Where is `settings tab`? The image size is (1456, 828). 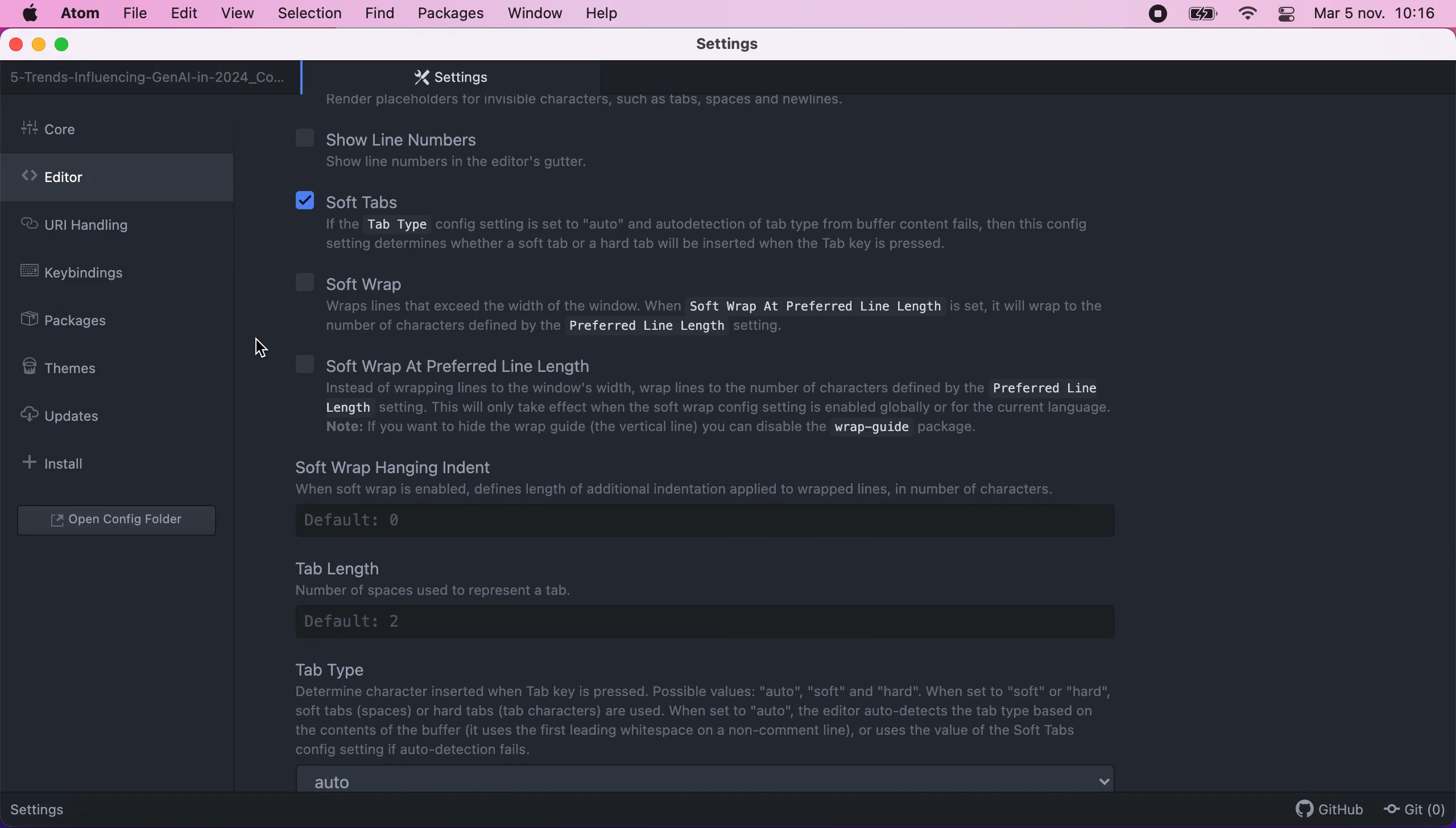
settings tab is located at coordinates (445, 77).